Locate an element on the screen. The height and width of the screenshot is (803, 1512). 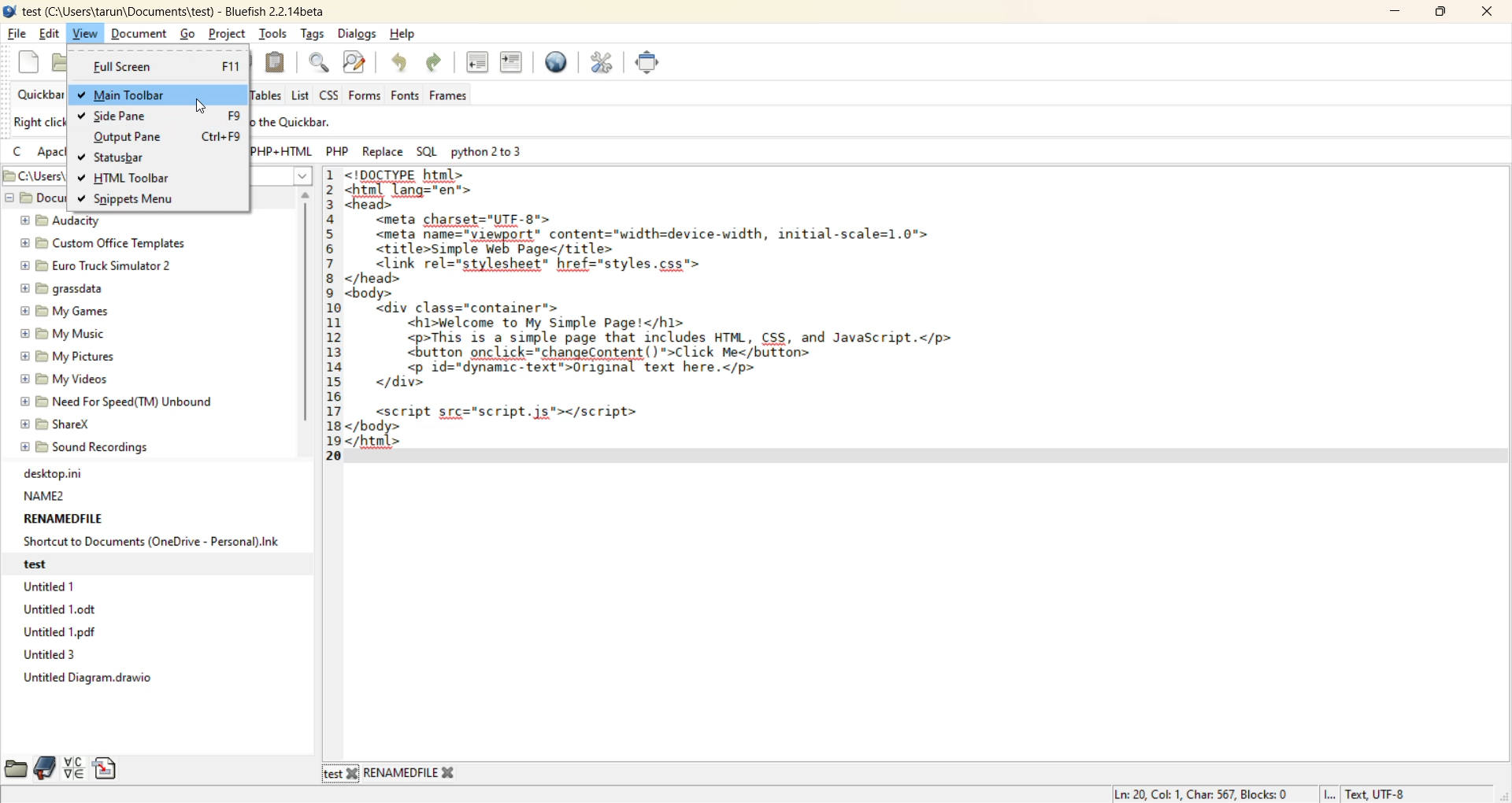
® 9 Custom Office Templates is located at coordinates (103, 244).